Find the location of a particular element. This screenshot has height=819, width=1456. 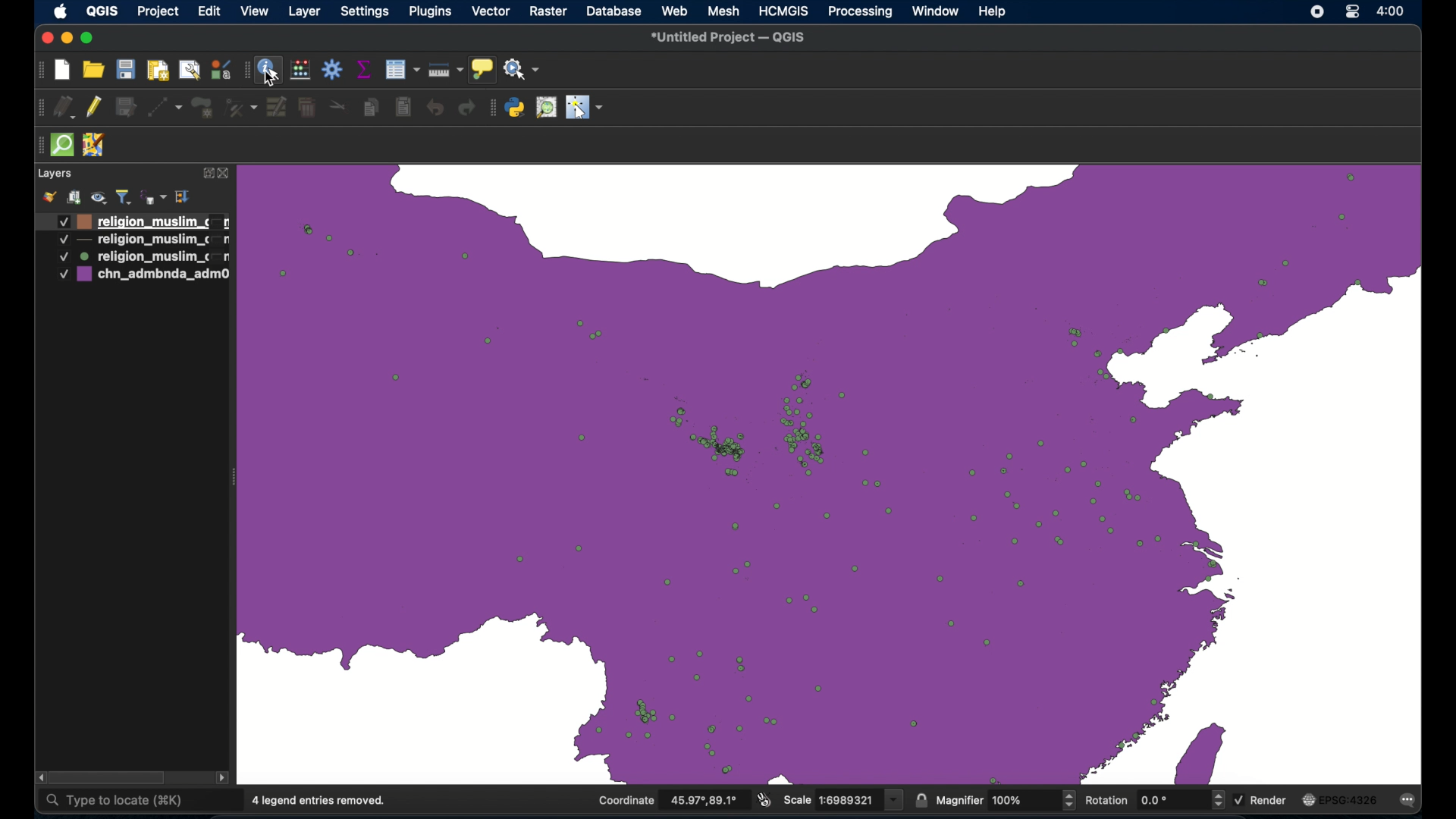

open attribute table is located at coordinates (404, 70).